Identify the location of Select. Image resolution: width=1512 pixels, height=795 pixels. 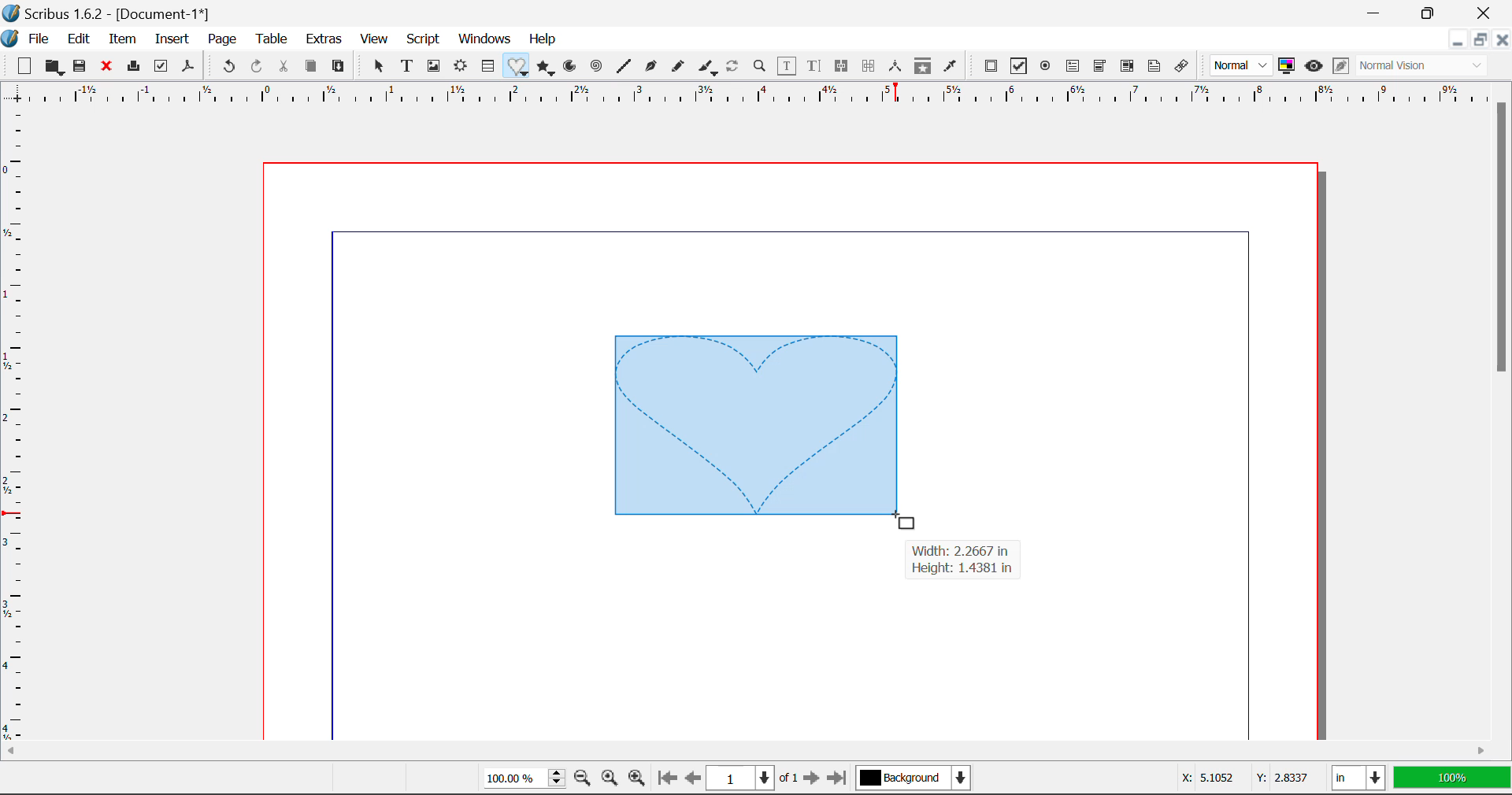
(379, 66).